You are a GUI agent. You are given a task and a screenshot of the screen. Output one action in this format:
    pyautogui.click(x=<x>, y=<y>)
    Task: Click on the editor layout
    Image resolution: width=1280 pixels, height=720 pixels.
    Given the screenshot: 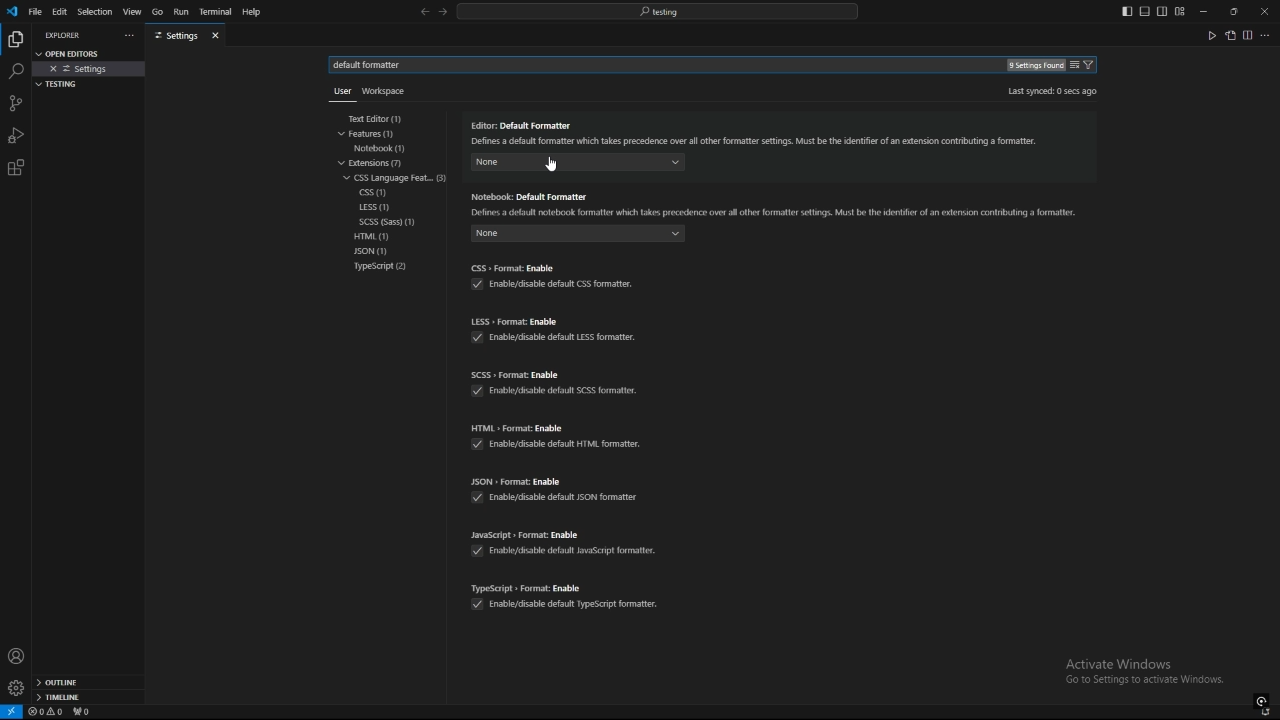 What is the action you would take?
    pyautogui.click(x=1153, y=11)
    